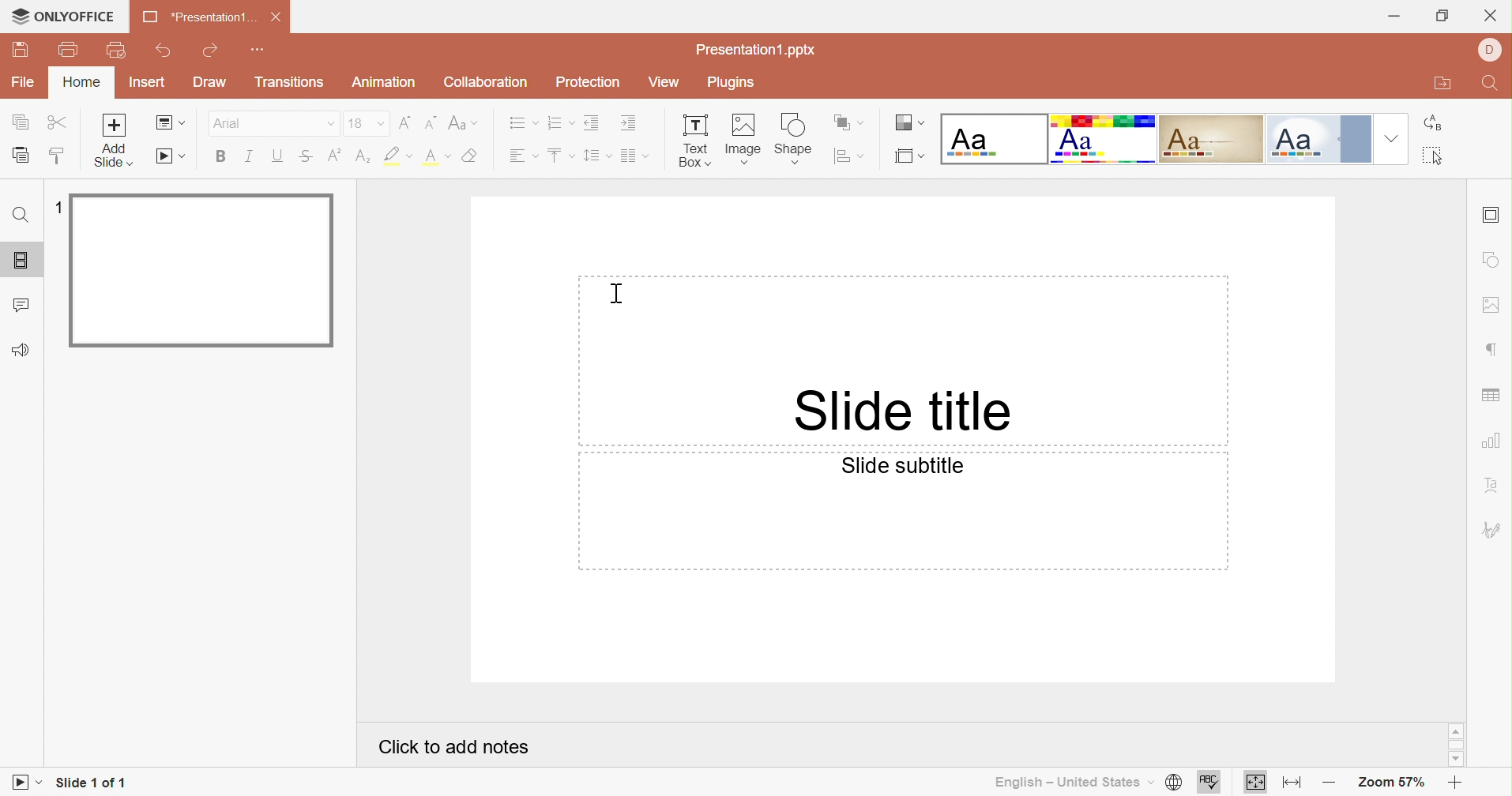  What do you see at coordinates (591, 83) in the screenshot?
I see `Protection` at bounding box center [591, 83].